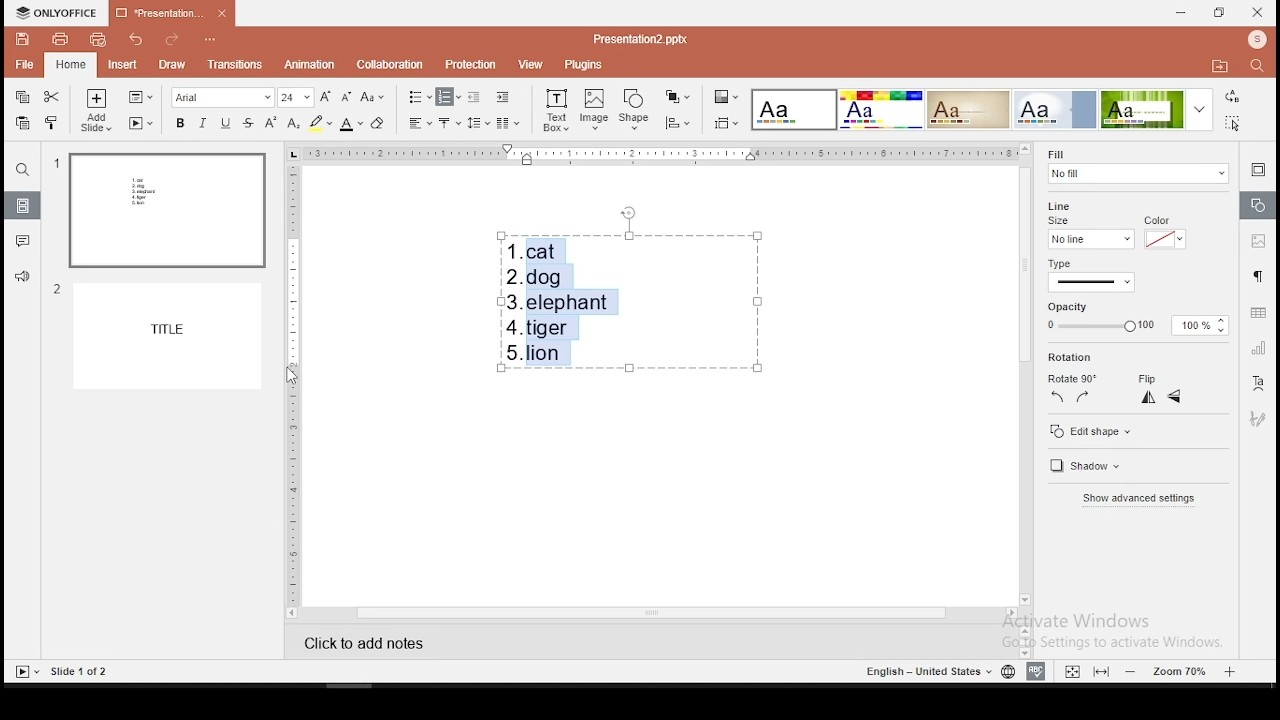 Image resolution: width=1280 pixels, height=720 pixels. Describe the element at coordinates (449, 96) in the screenshot. I see `numbered list` at that location.